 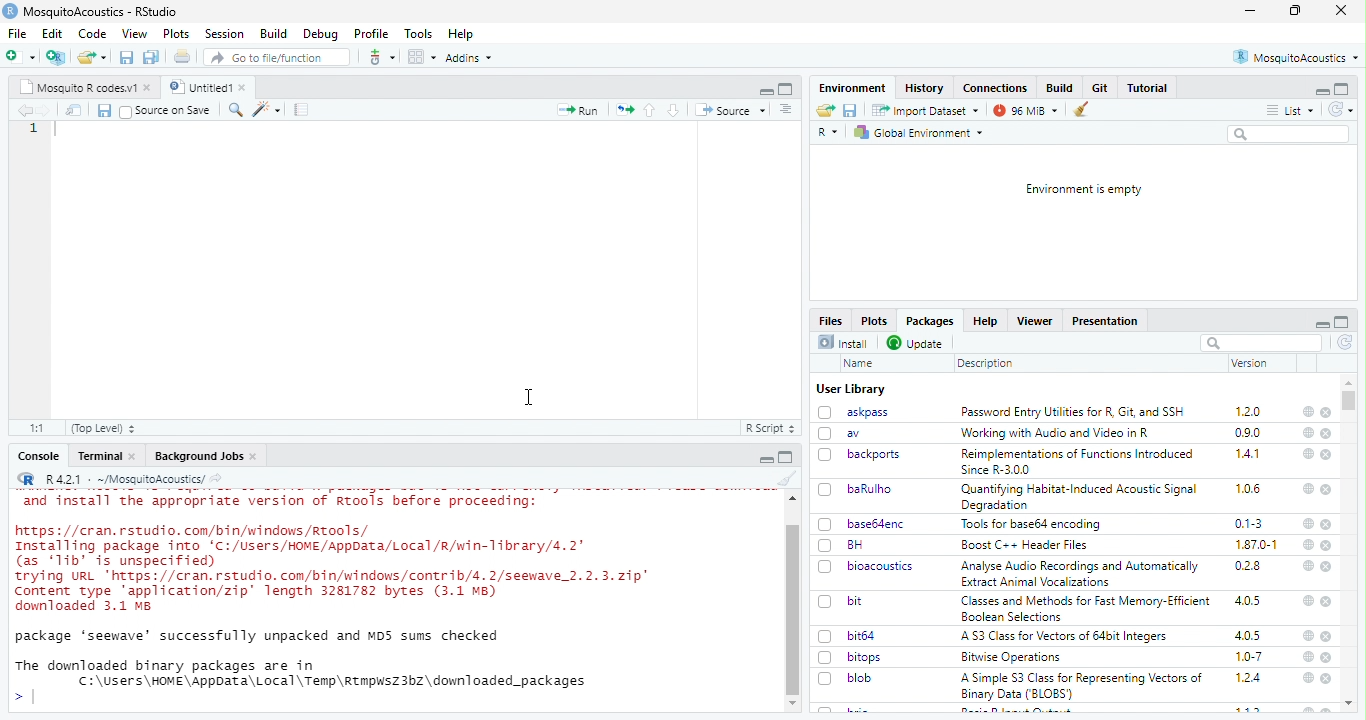 What do you see at coordinates (1327, 658) in the screenshot?
I see `close` at bounding box center [1327, 658].